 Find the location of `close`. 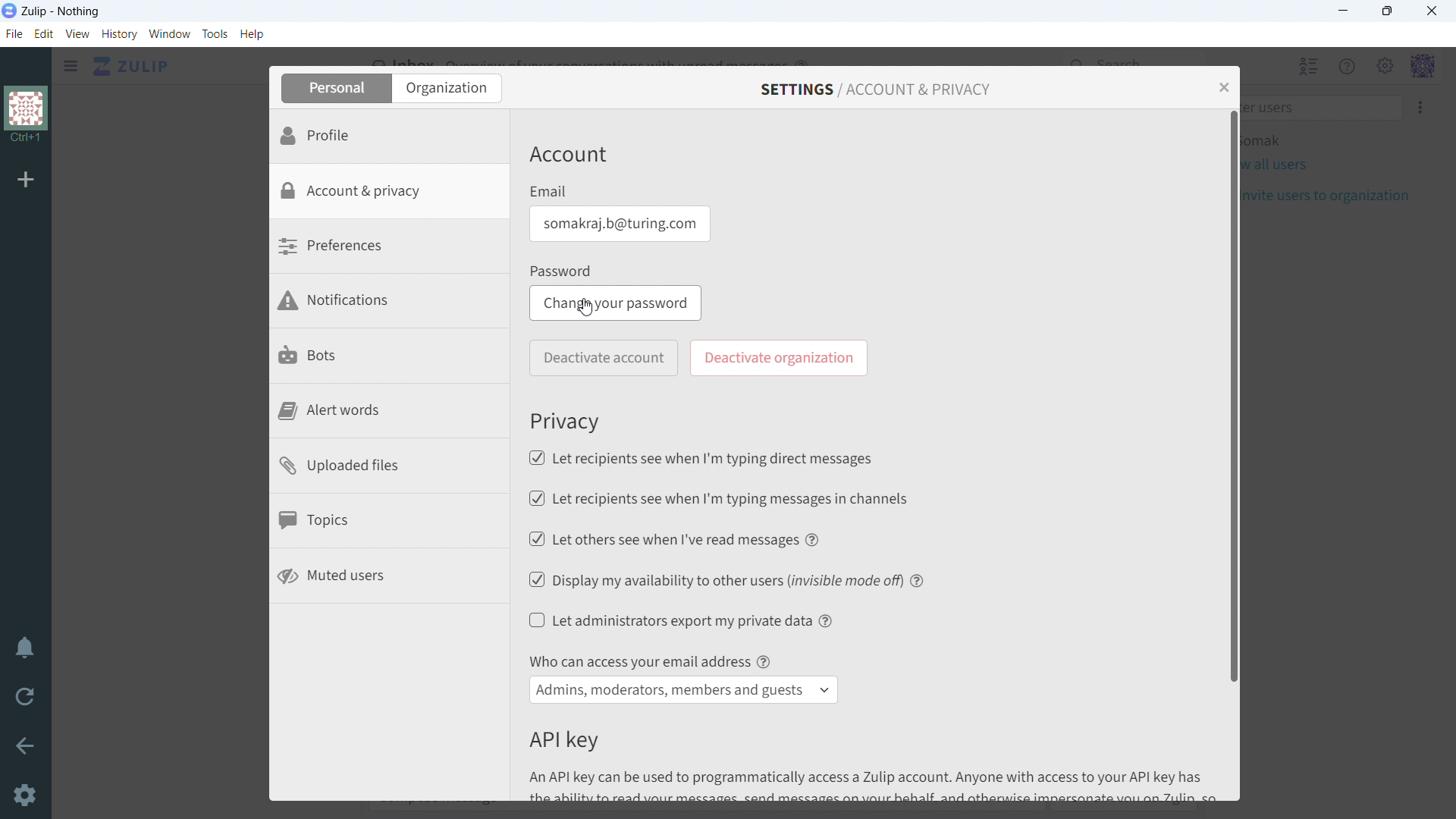

close is located at coordinates (1223, 87).